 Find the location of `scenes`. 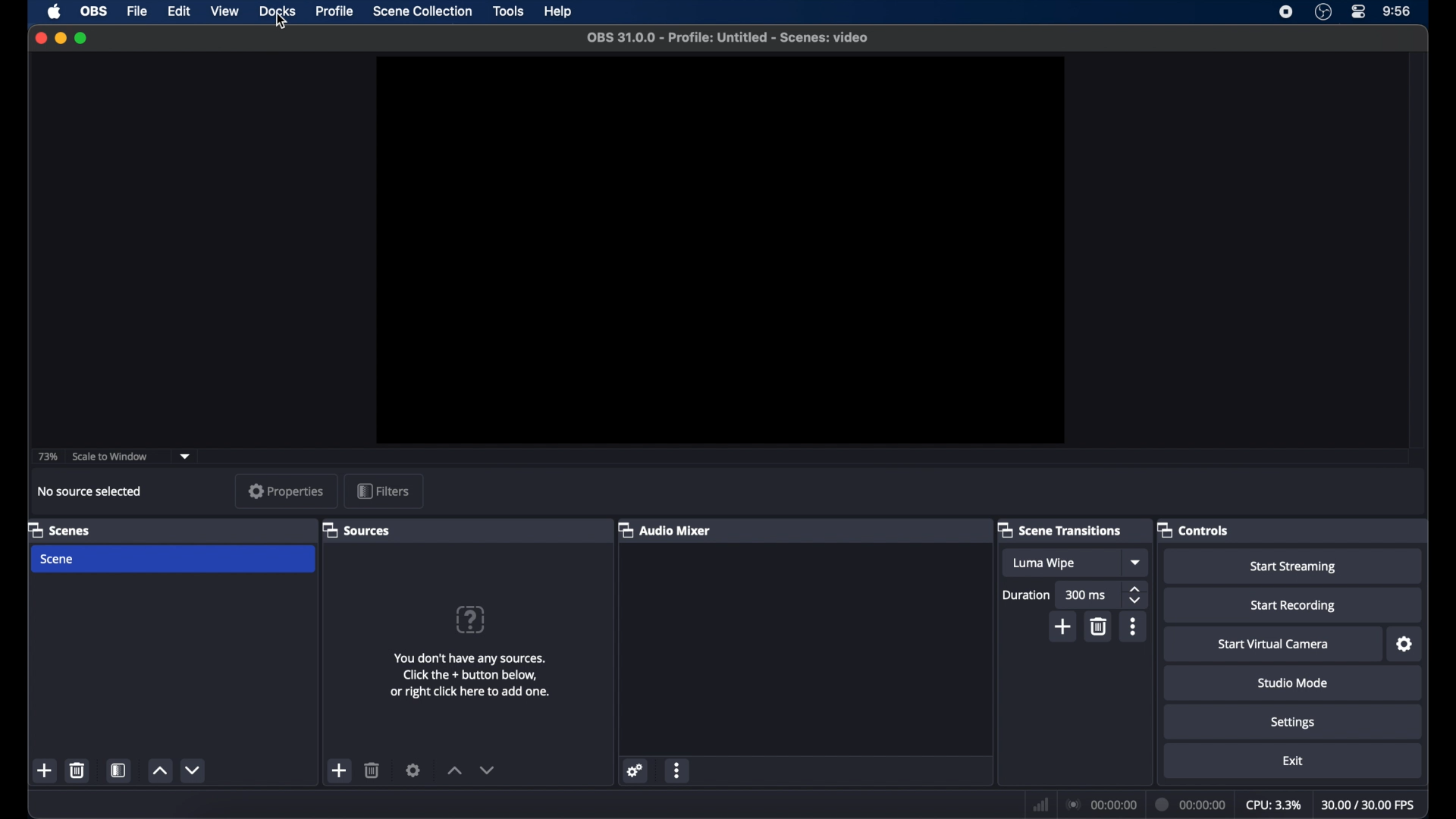

scenes is located at coordinates (62, 531).